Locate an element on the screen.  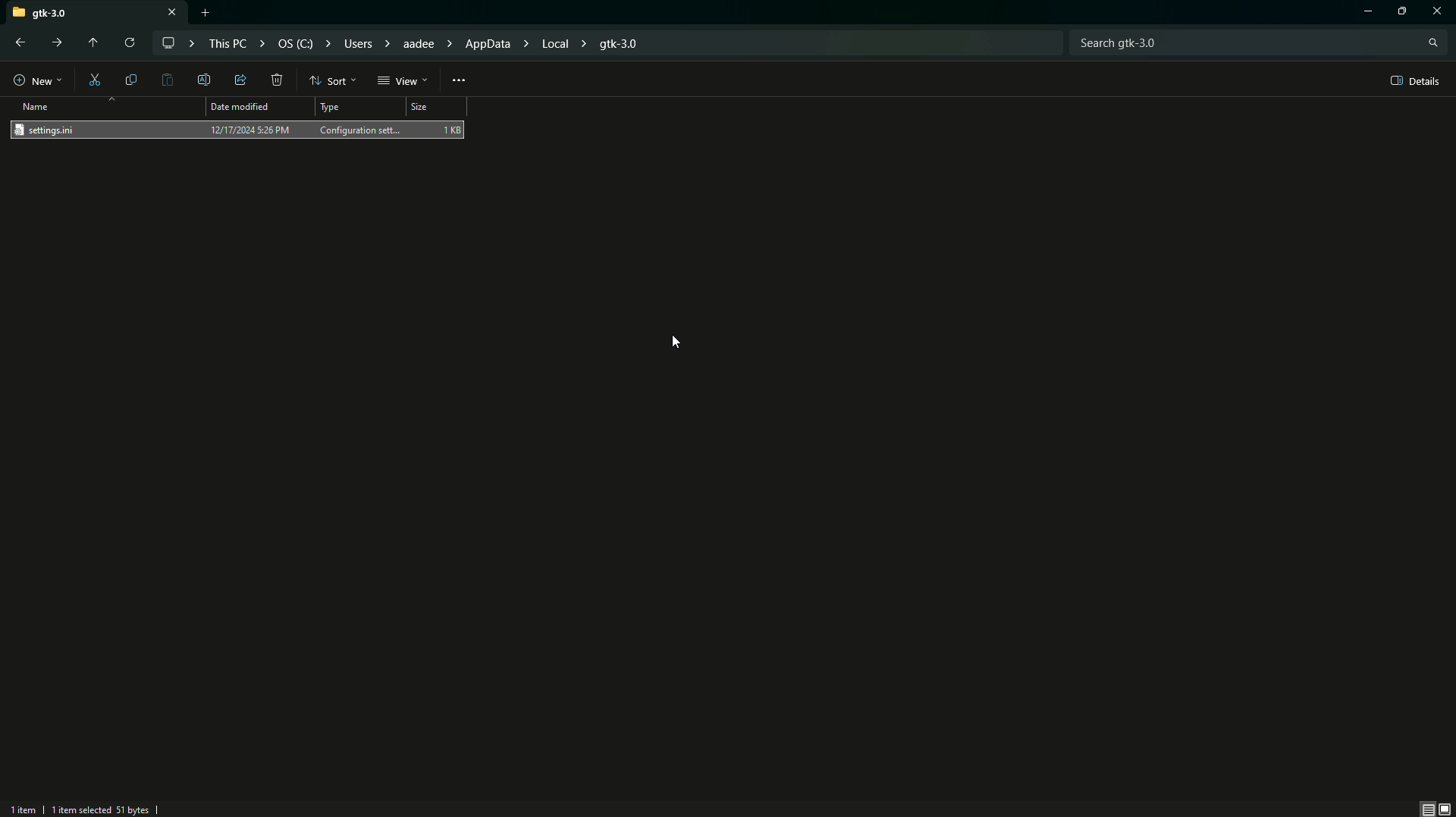
Minimize is located at coordinates (1360, 13).